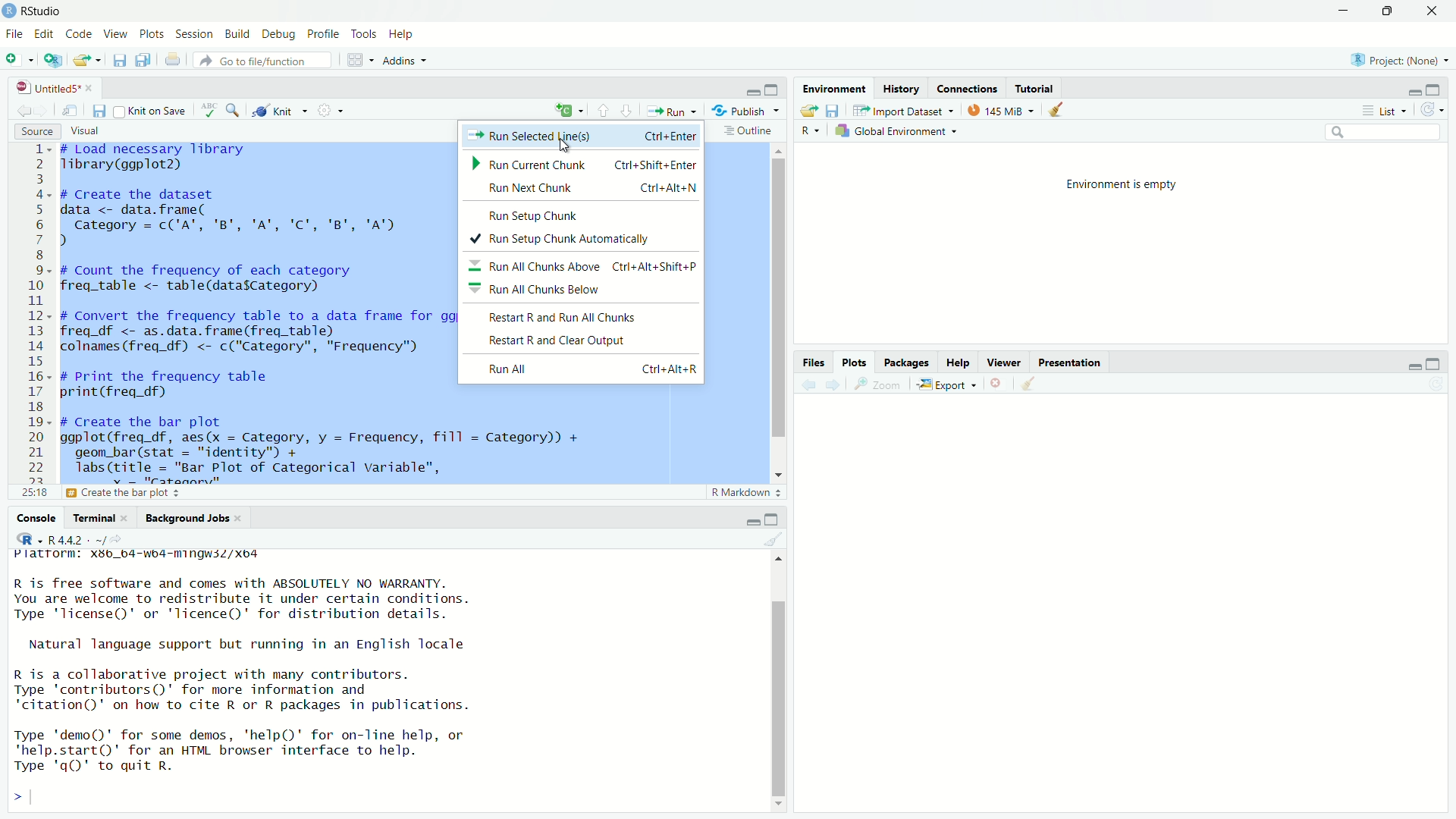 This screenshot has width=1456, height=819. Describe the element at coordinates (93, 518) in the screenshot. I see `Terminal` at that location.